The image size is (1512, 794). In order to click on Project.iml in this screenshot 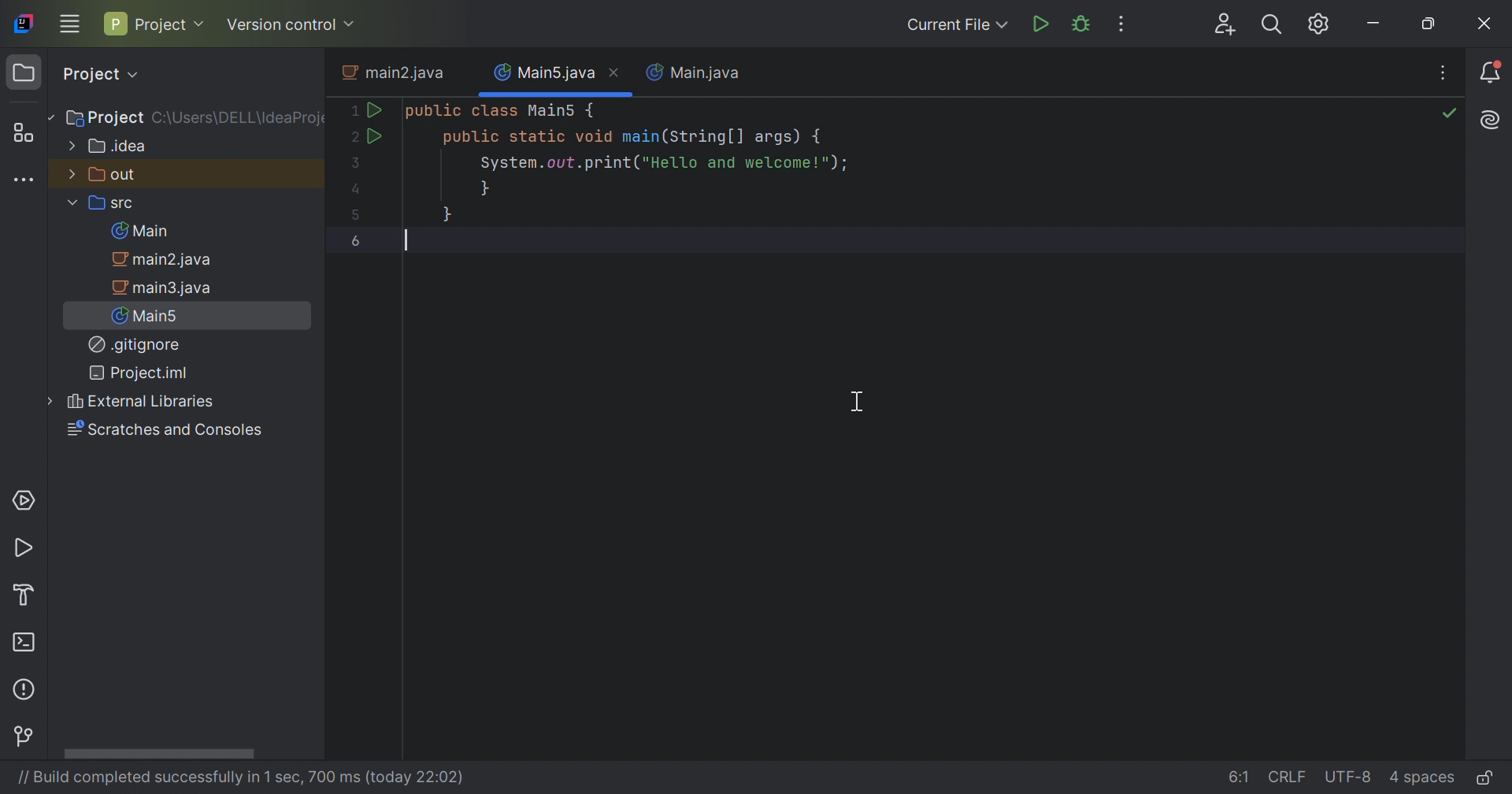, I will do `click(138, 373)`.